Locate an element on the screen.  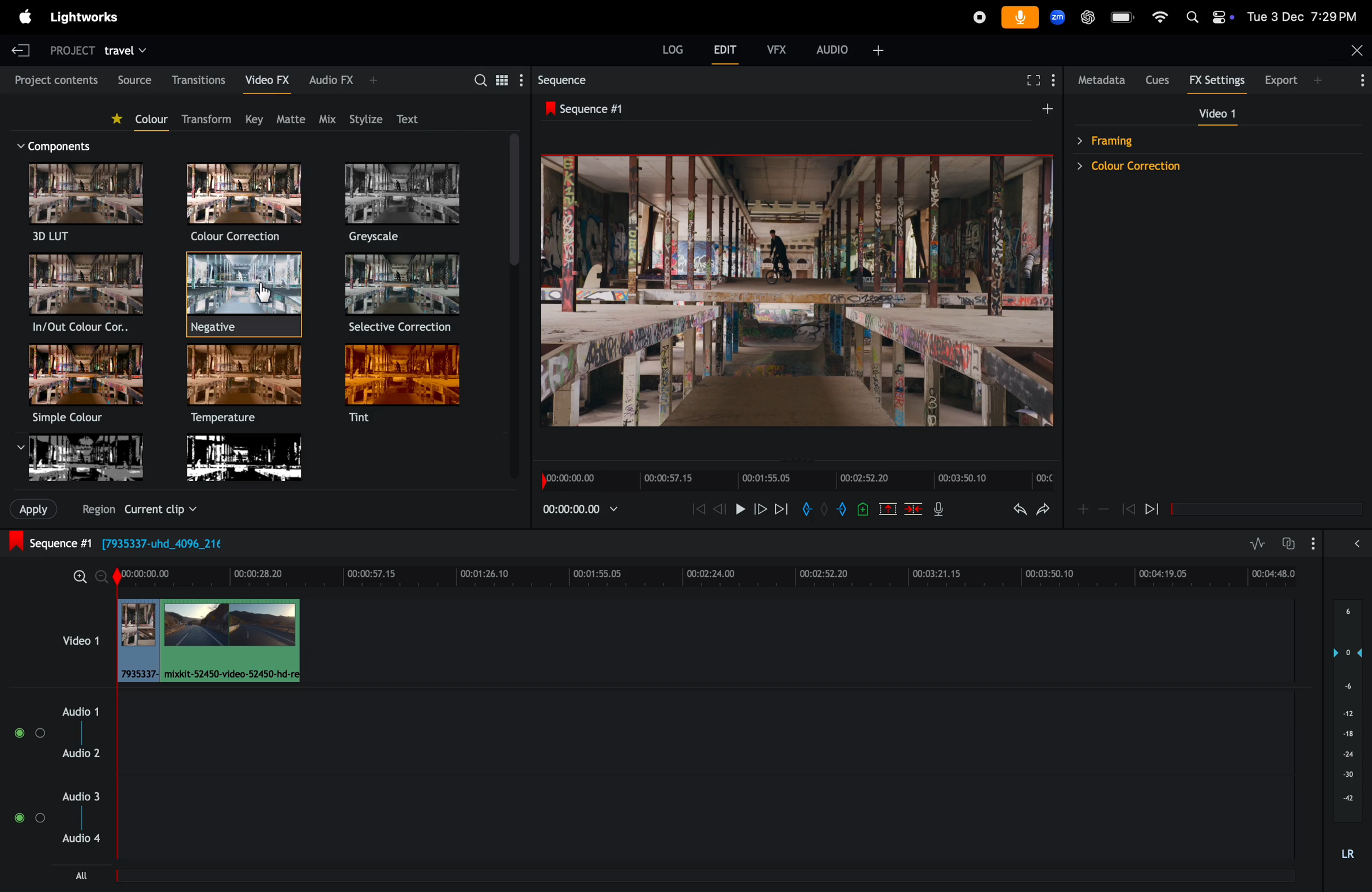
Seqquence is located at coordinates (576, 81).